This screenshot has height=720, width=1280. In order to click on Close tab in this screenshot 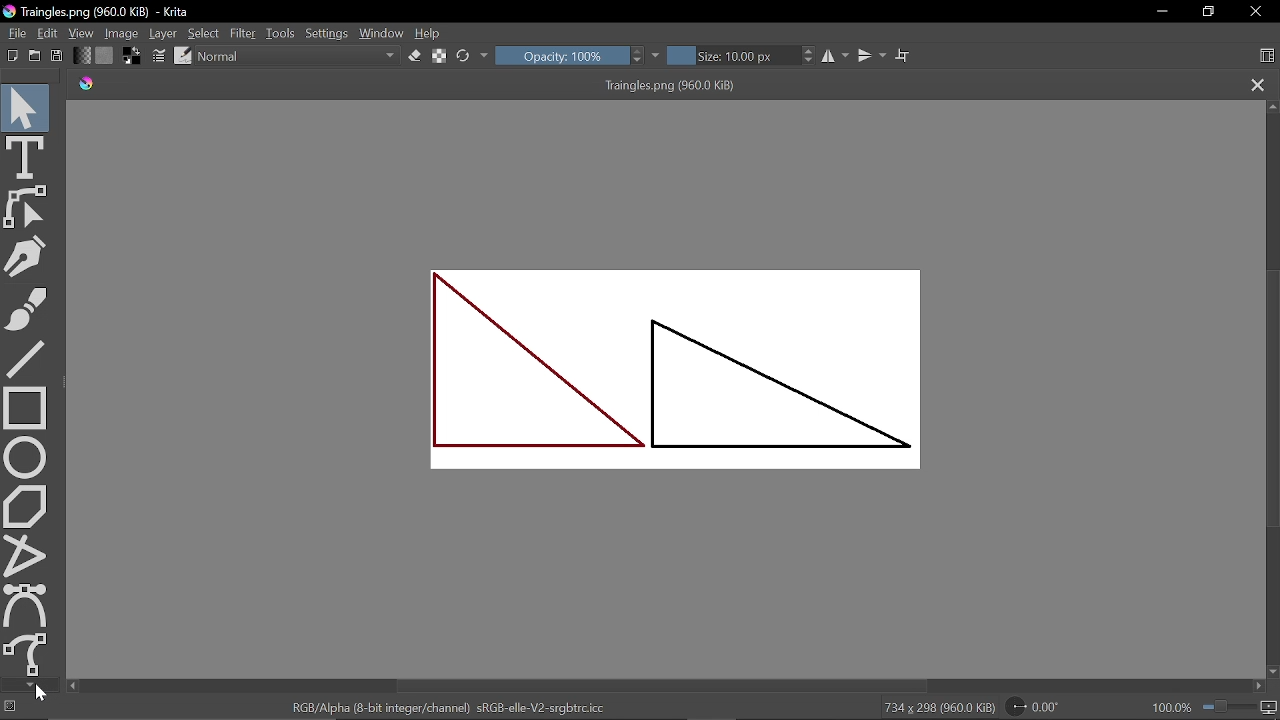, I will do `click(1258, 86)`.